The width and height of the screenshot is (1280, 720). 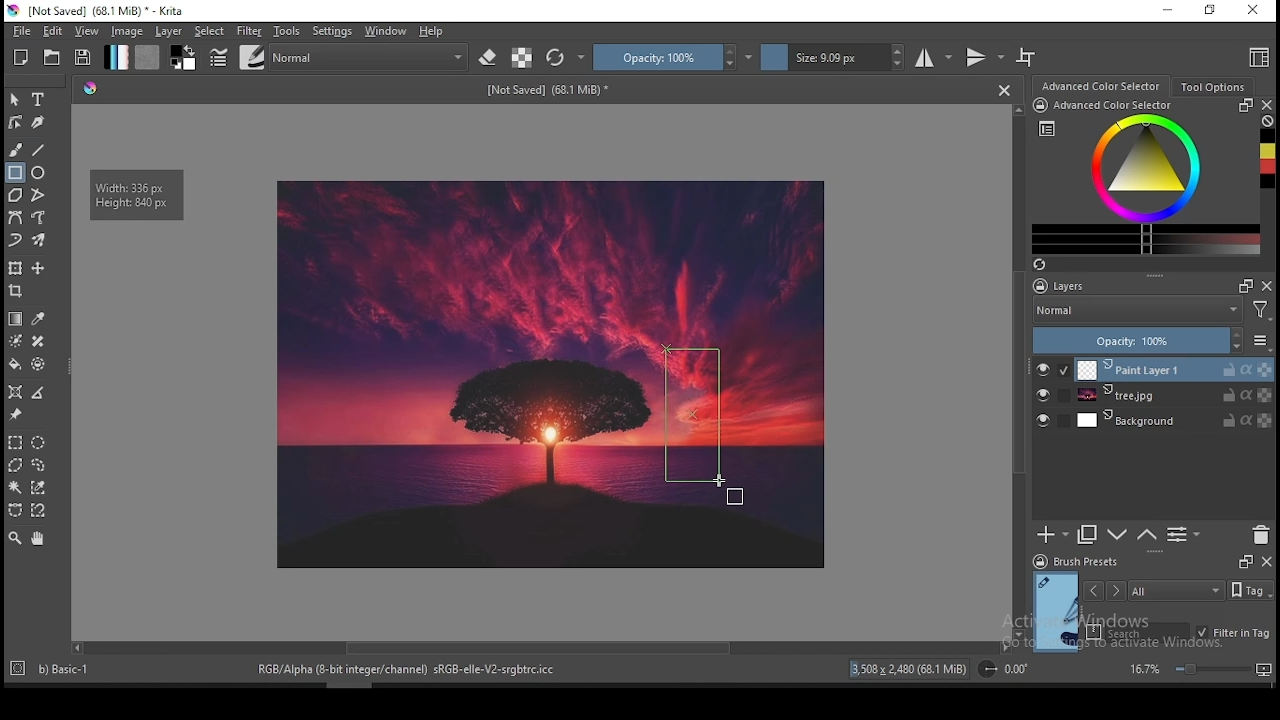 I want to click on search, so click(x=1138, y=631).